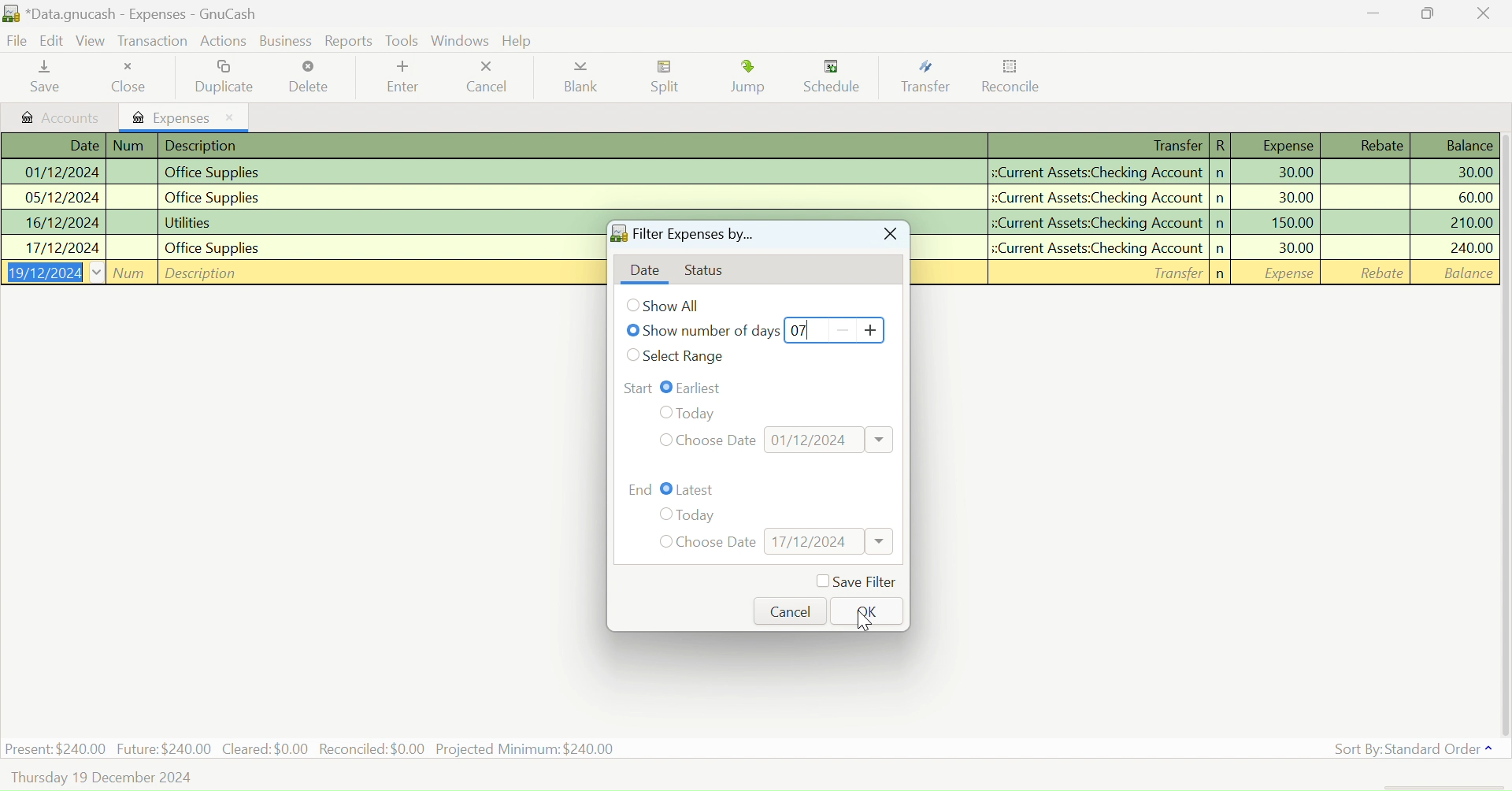 The image size is (1512, 791). I want to click on Office Supplies Transaction, so click(299, 247).